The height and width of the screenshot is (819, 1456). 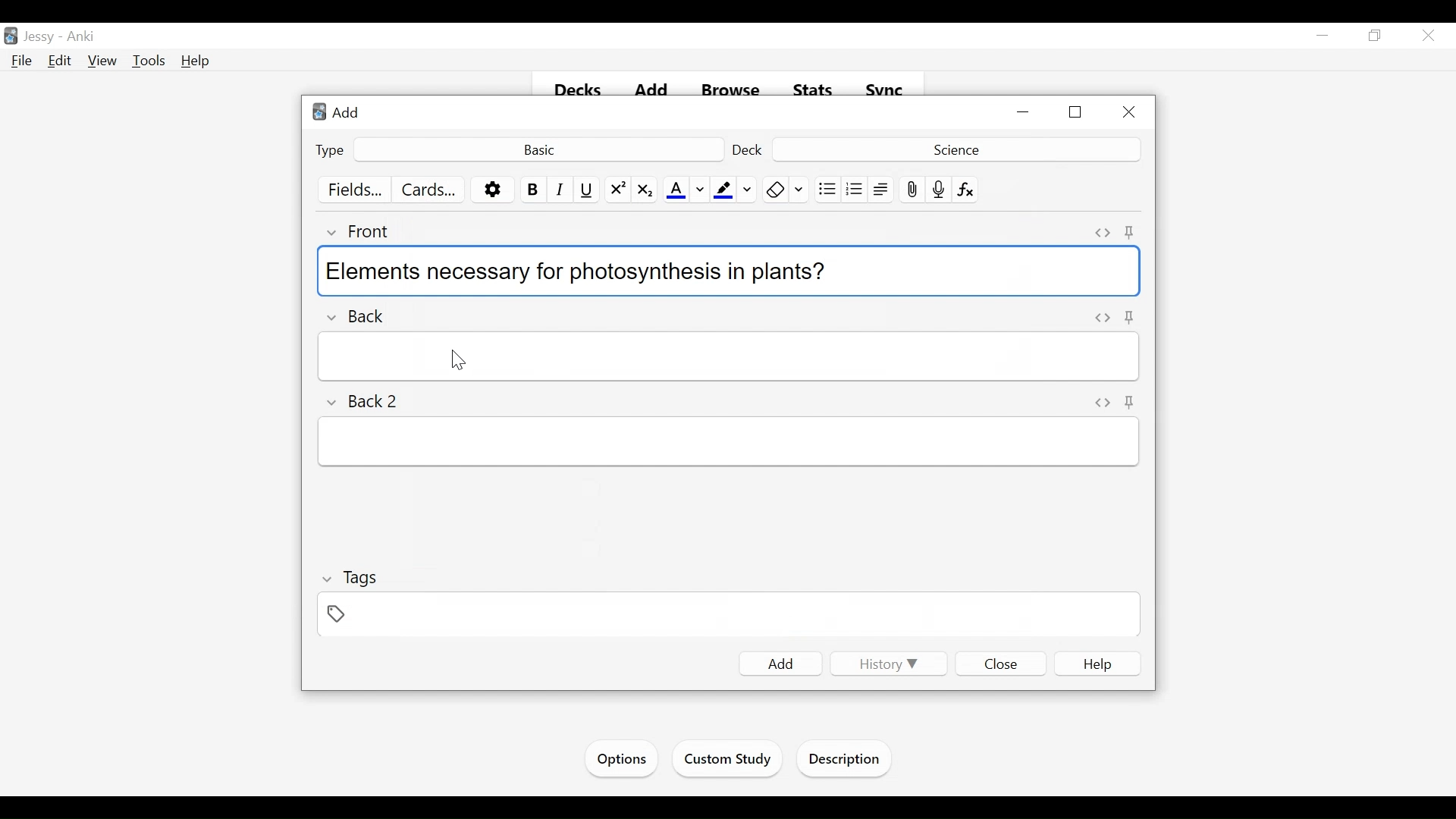 I want to click on Record Audio, so click(x=939, y=190).